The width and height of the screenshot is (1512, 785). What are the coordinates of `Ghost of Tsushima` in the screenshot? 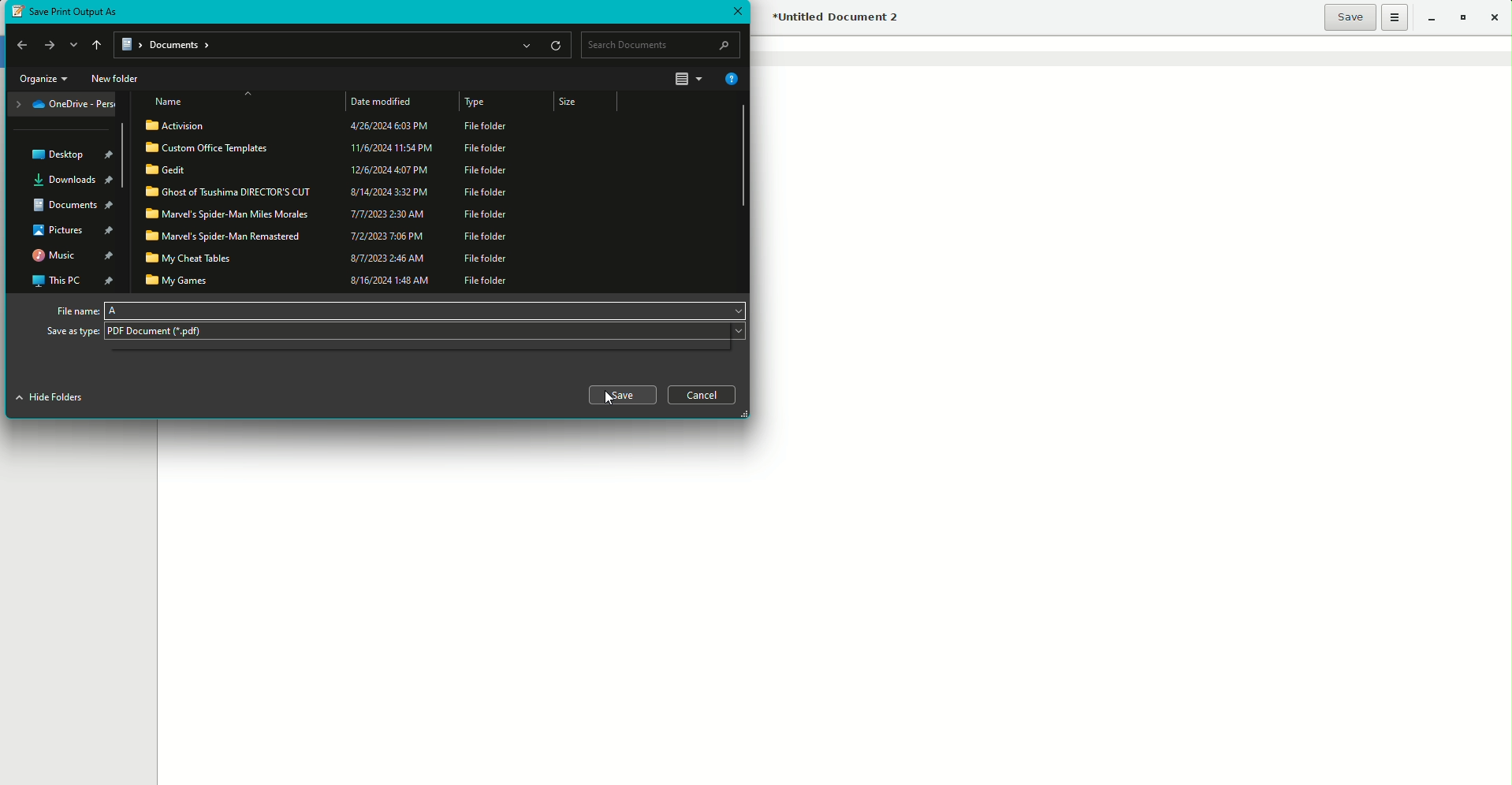 It's located at (330, 192).